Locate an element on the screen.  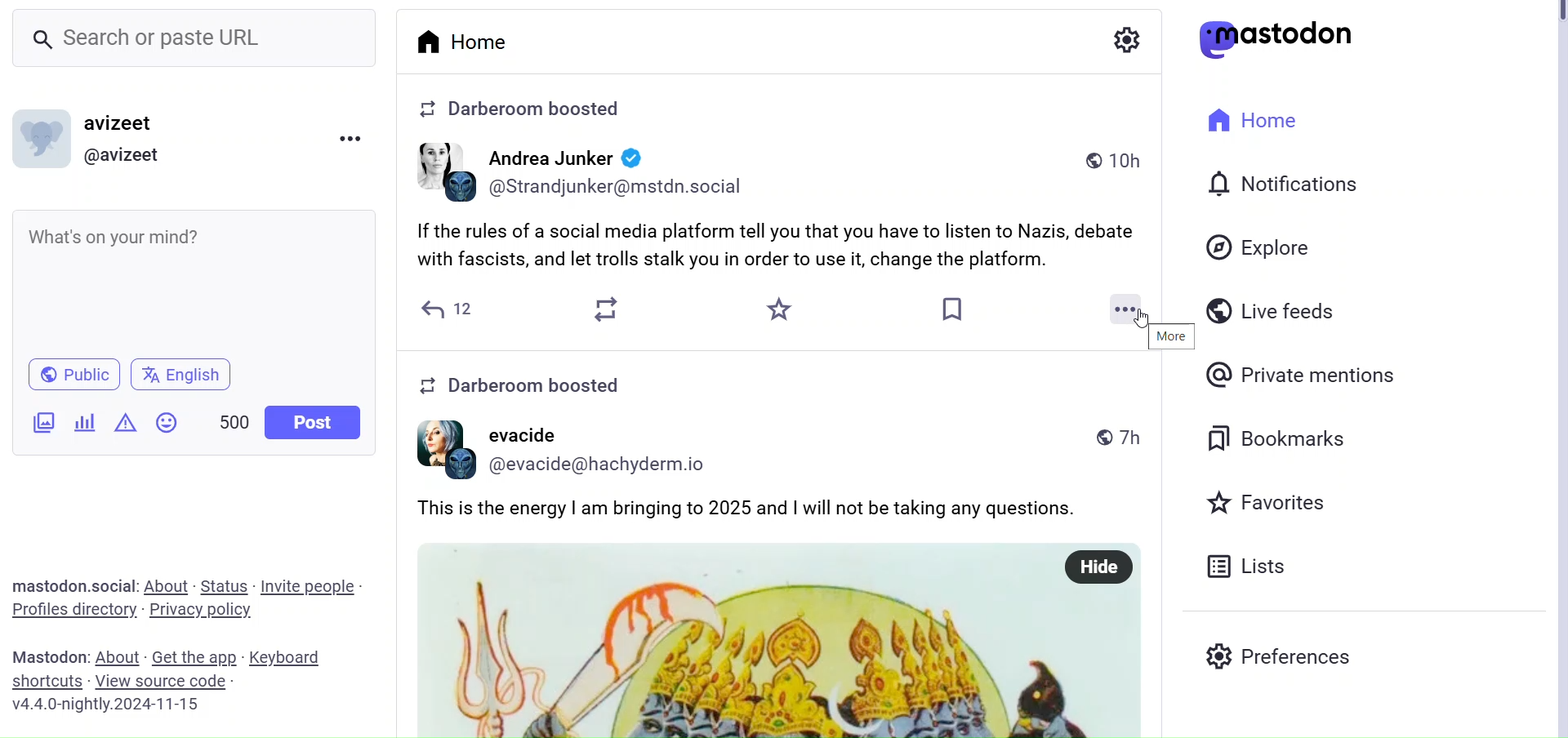
Shortcuts is located at coordinates (48, 682).